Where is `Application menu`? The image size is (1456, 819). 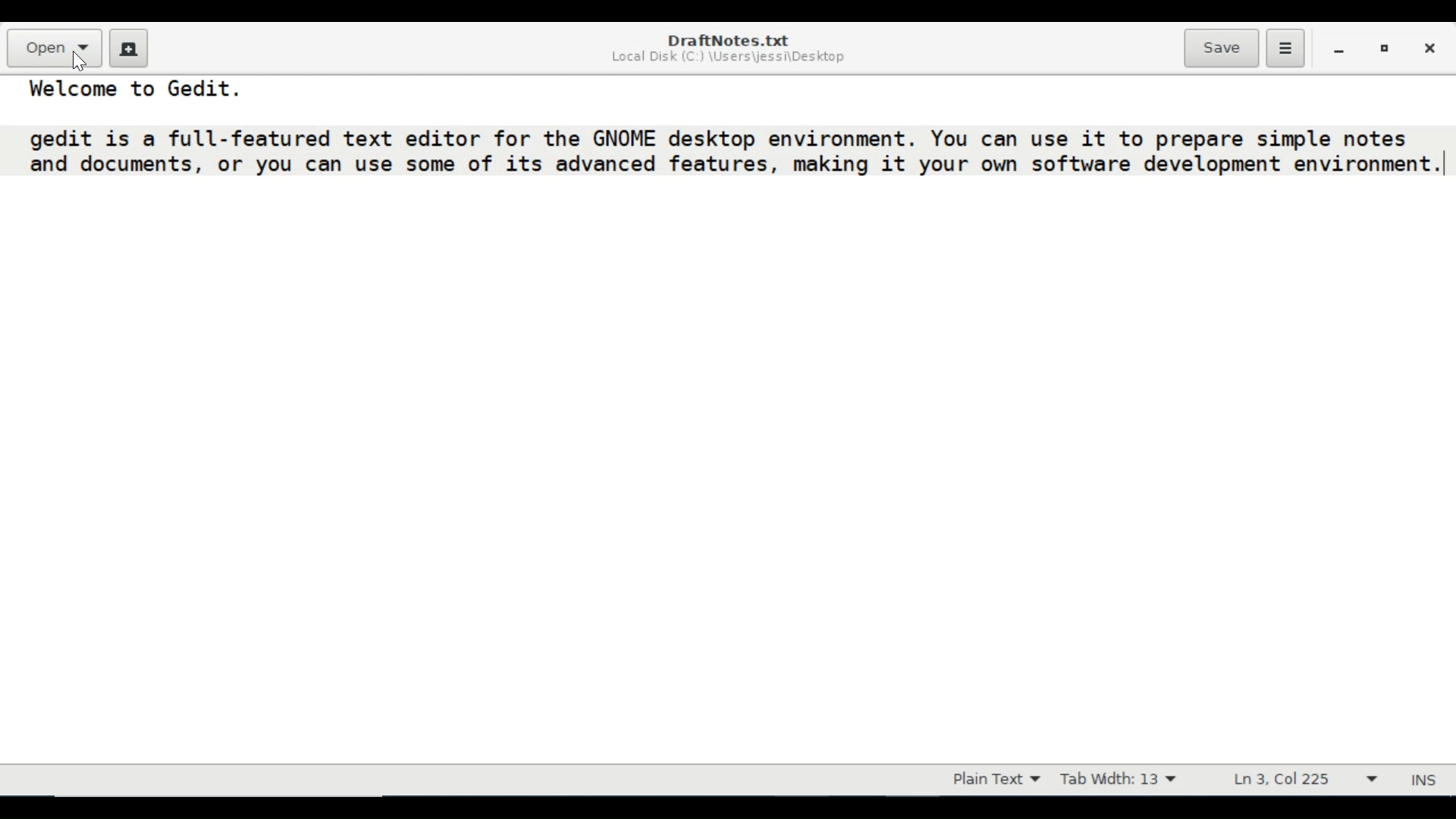
Application menu is located at coordinates (1285, 49).